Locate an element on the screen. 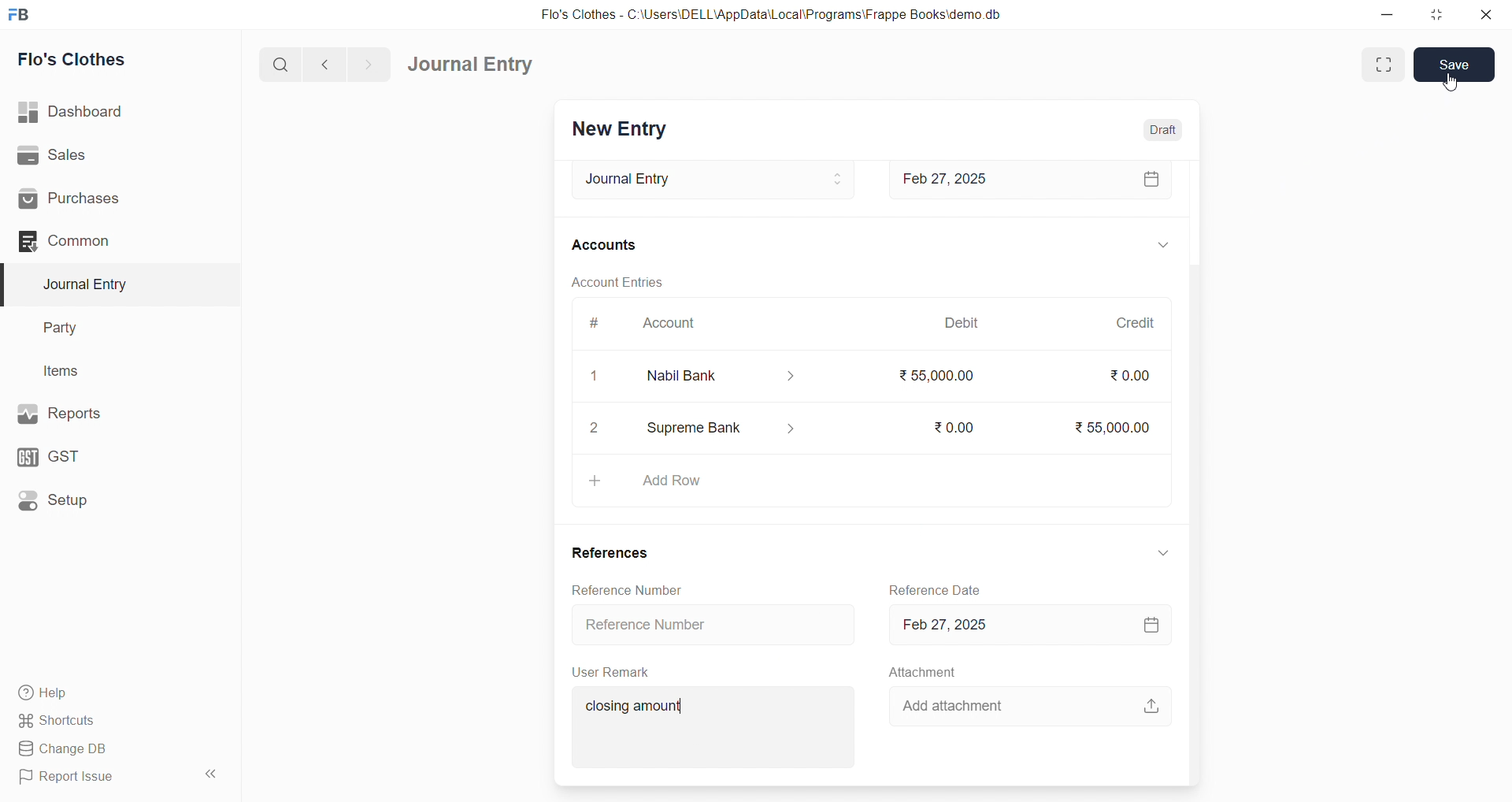  Account Entries is located at coordinates (619, 284).